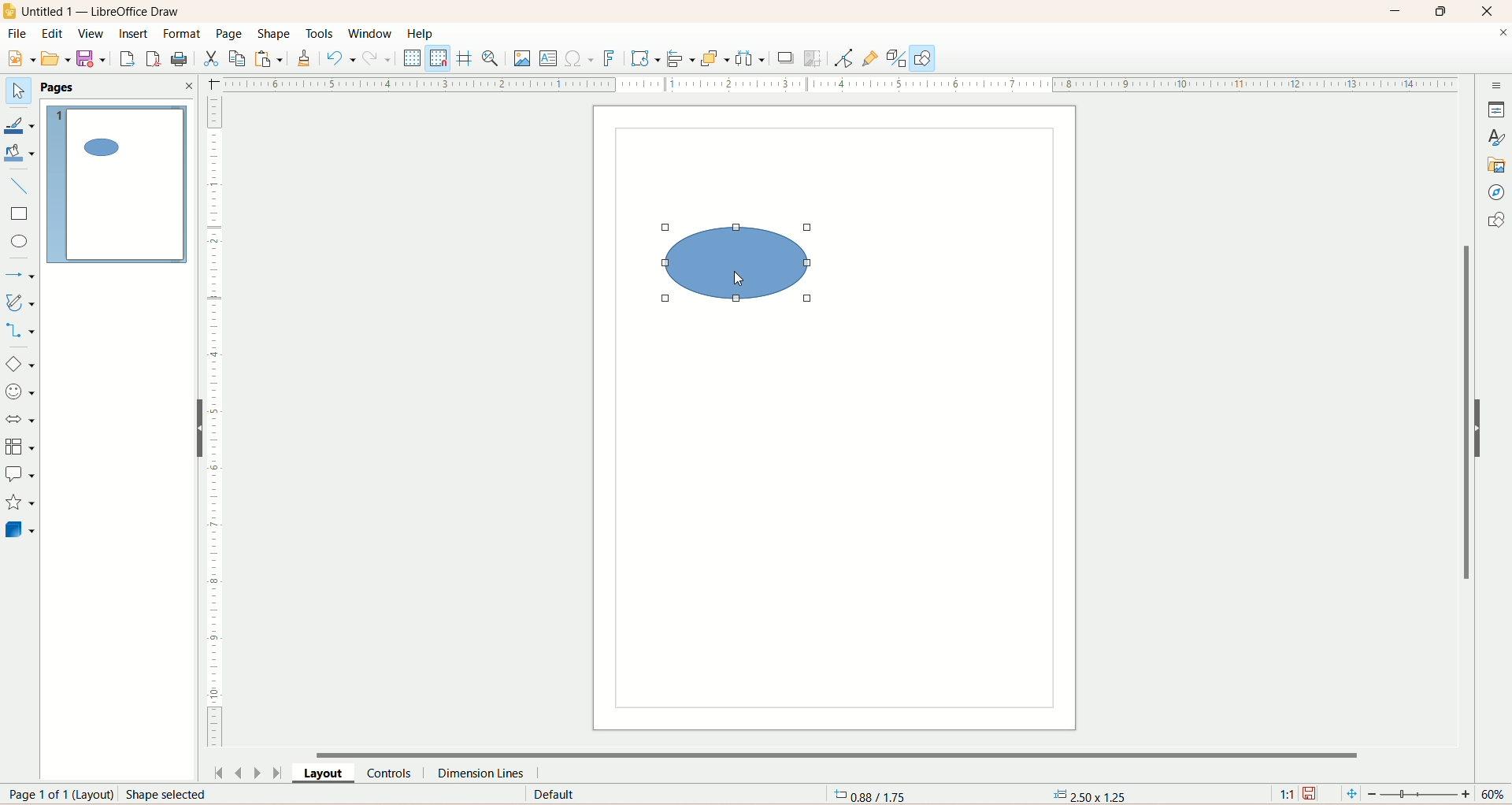  Describe the element at coordinates (1496, 795) in the screenshot. I see `zoom percentage` at that location.